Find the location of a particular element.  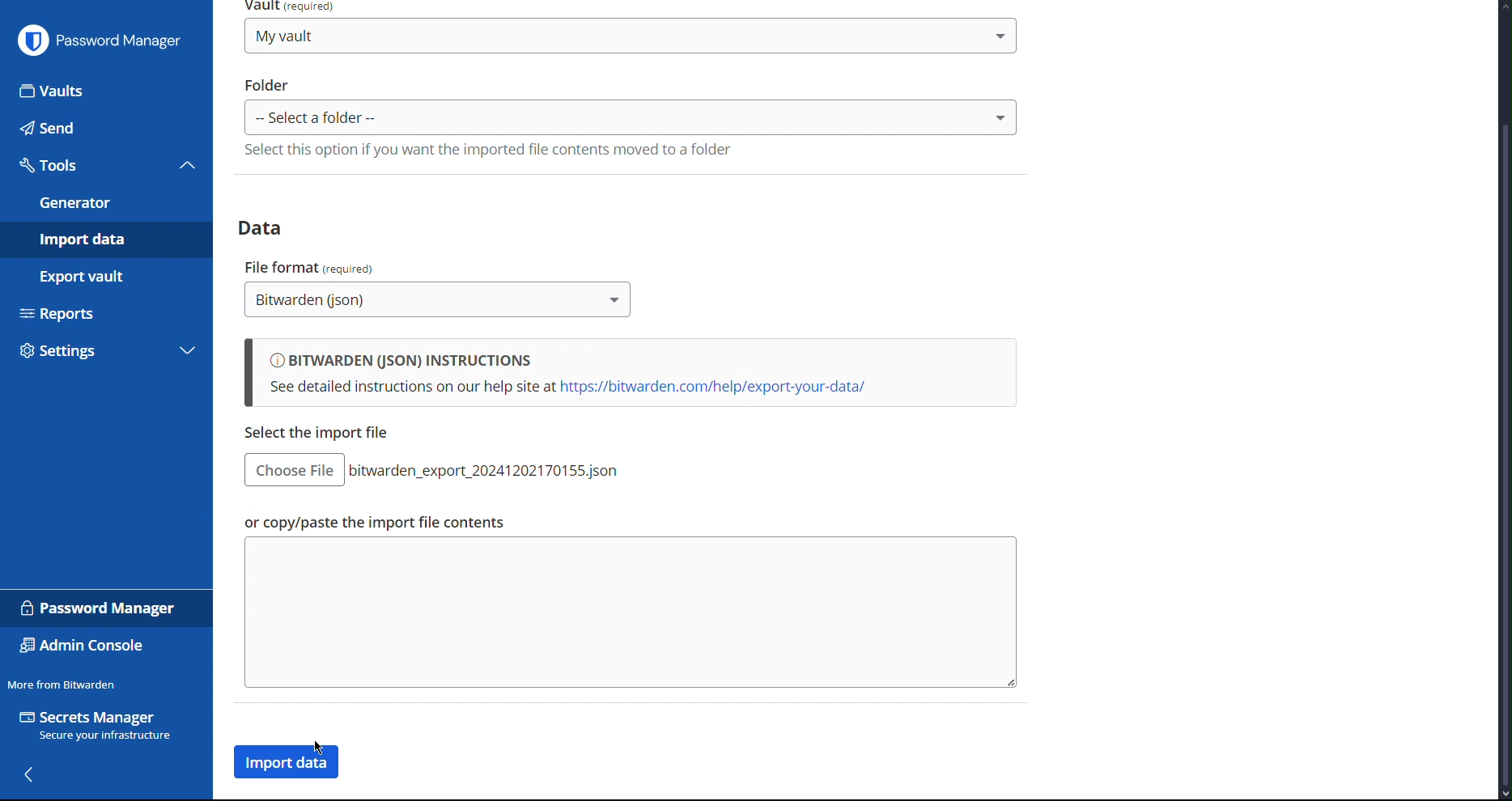

vault is located at coordinates (294, 7).